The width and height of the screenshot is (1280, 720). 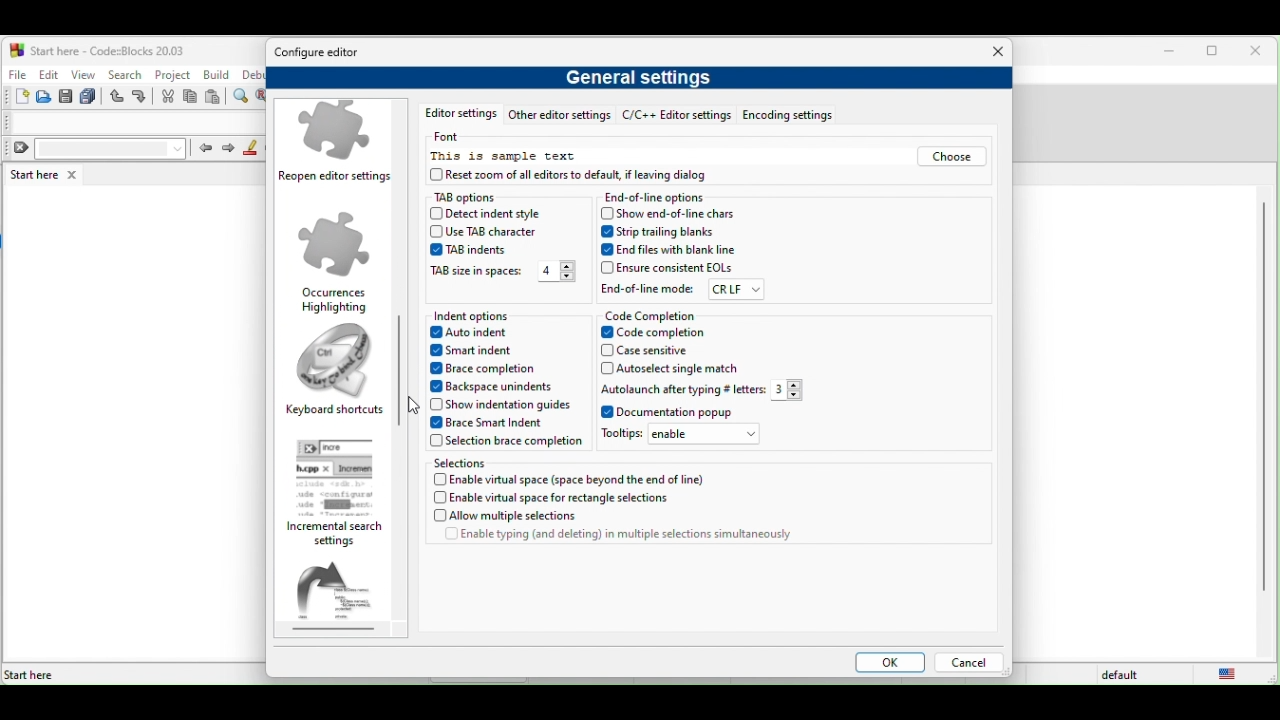 What do you see at coordinates (494, 423) in the screenshot?
I see `brace smart indent` at bounding box center [494, 423].